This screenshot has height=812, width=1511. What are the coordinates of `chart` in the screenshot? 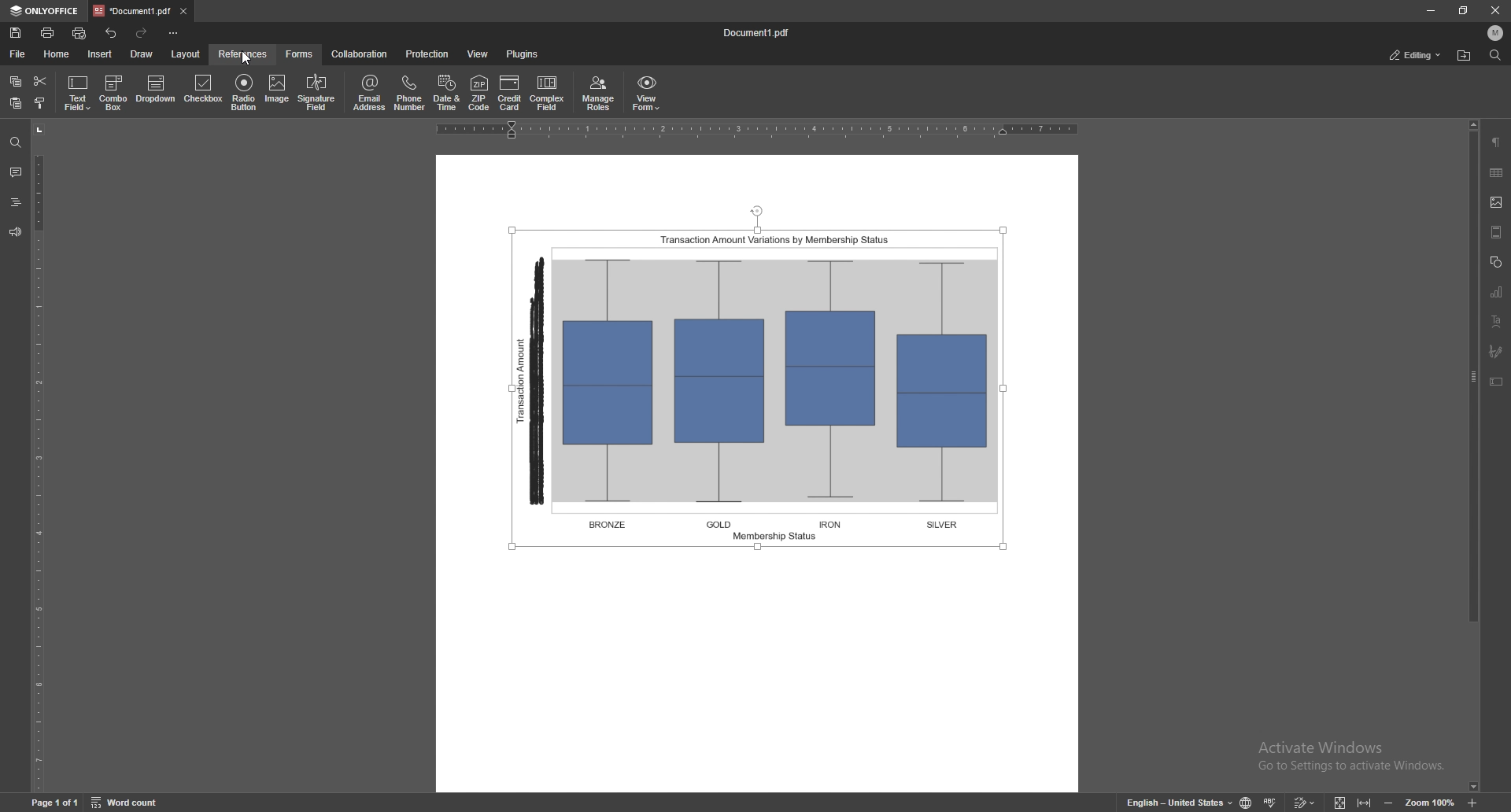 It's located at (1498, 291).